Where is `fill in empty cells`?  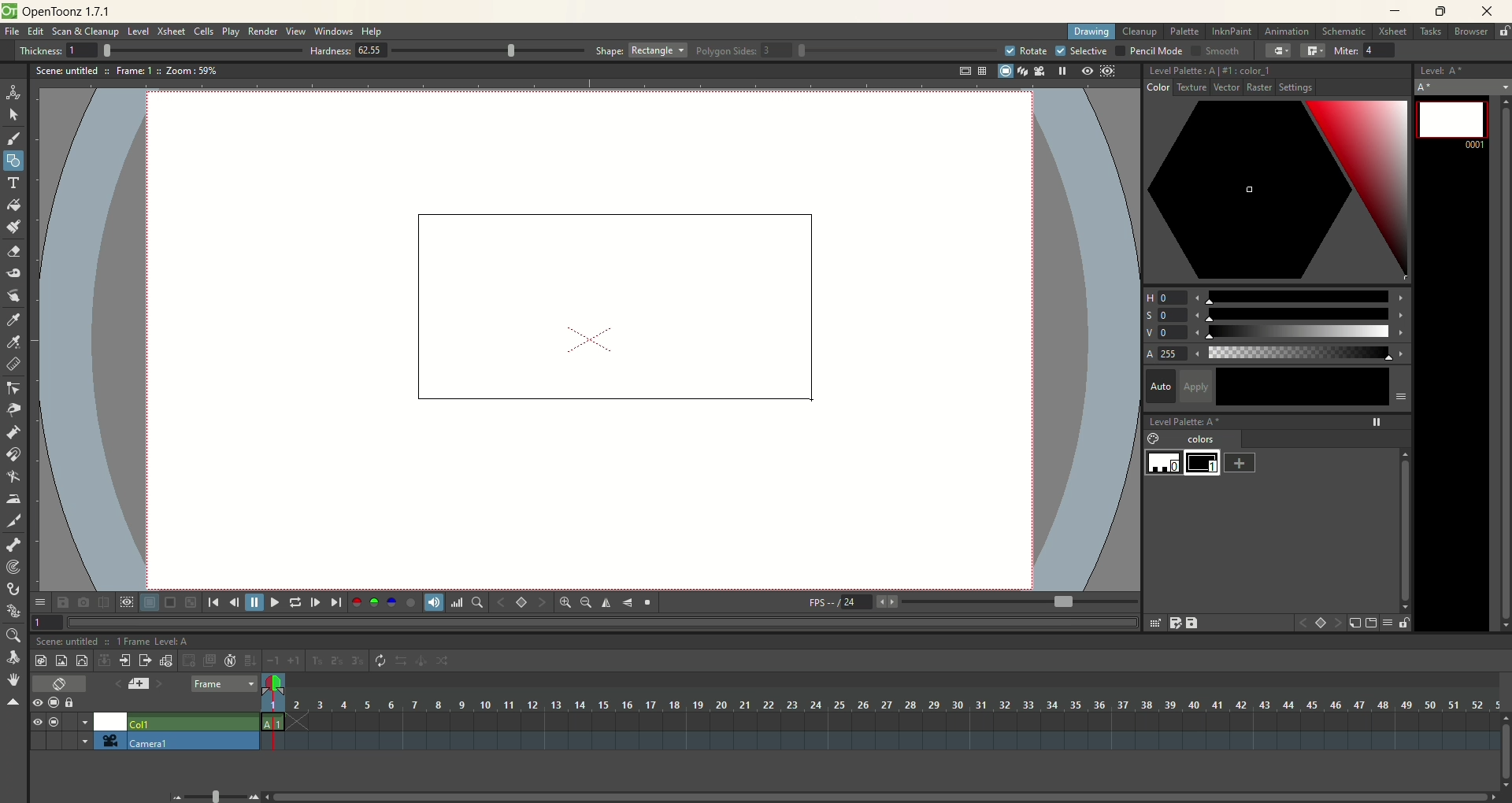 fill in empty cells is located at coordinates (250, 661).